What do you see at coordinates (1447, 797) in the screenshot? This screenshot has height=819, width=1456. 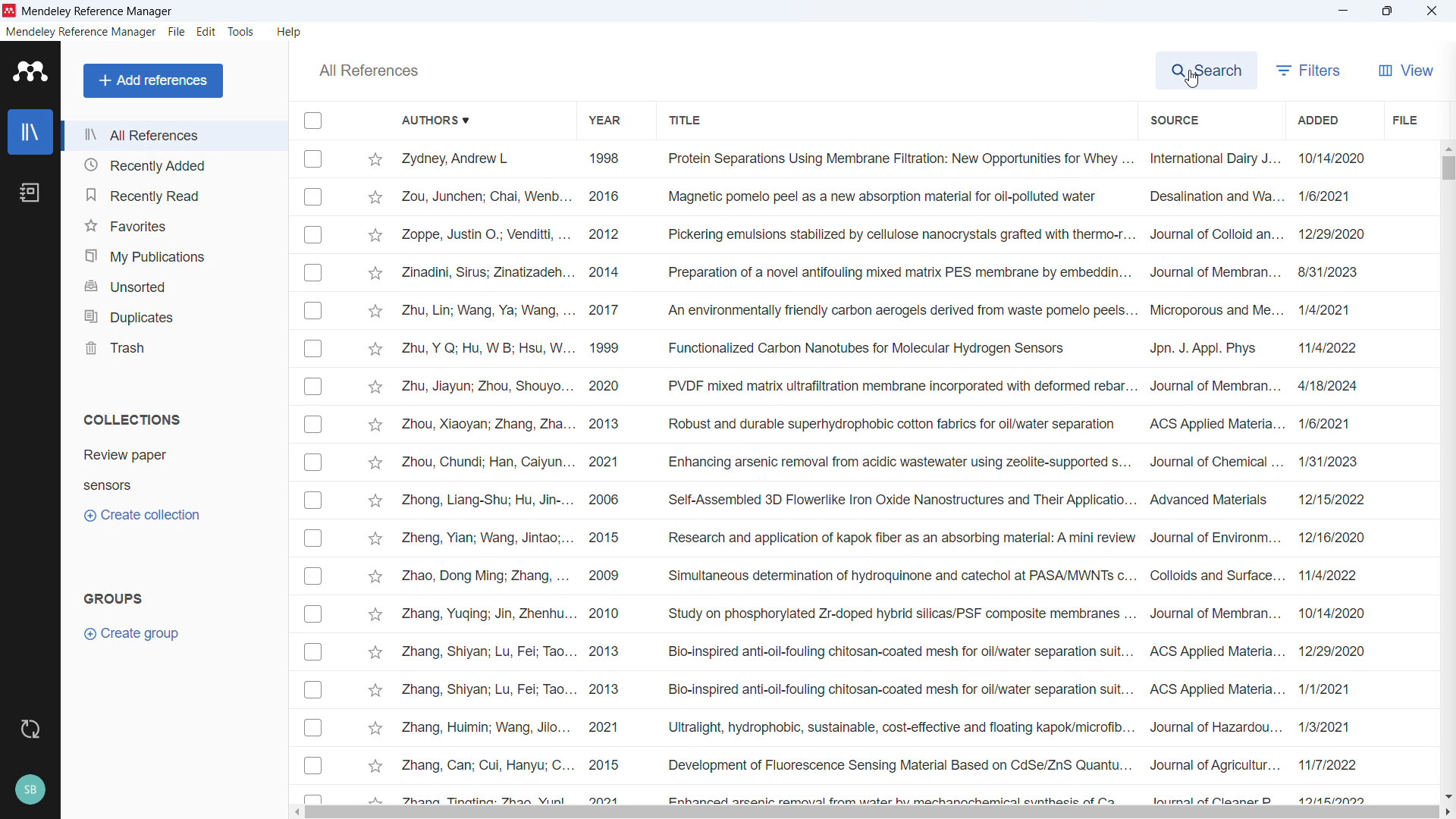 I see `Scroll down ` at bounding box center [1447, 797].